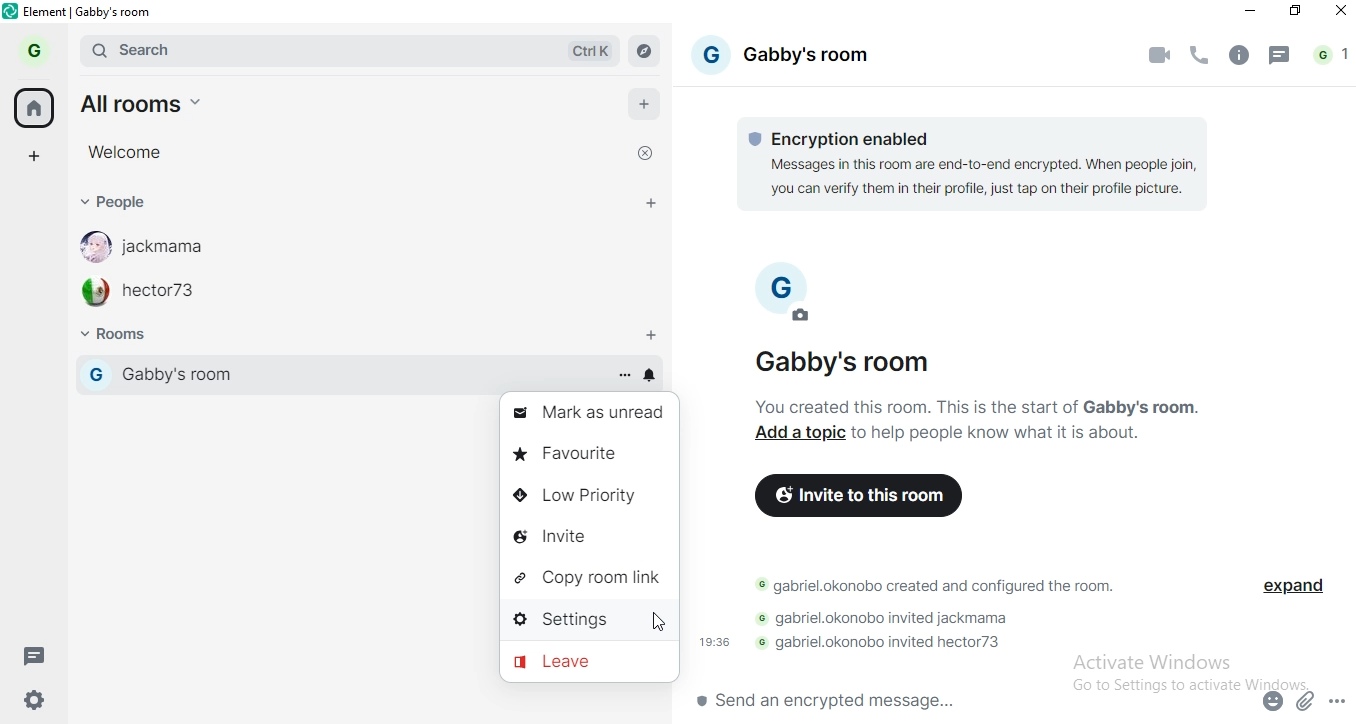 This screenshot has width=1356, height=724. What do you see at coordinates (40, 156) in the screenshot?
I see `add space` at bounding box center [40, 156].